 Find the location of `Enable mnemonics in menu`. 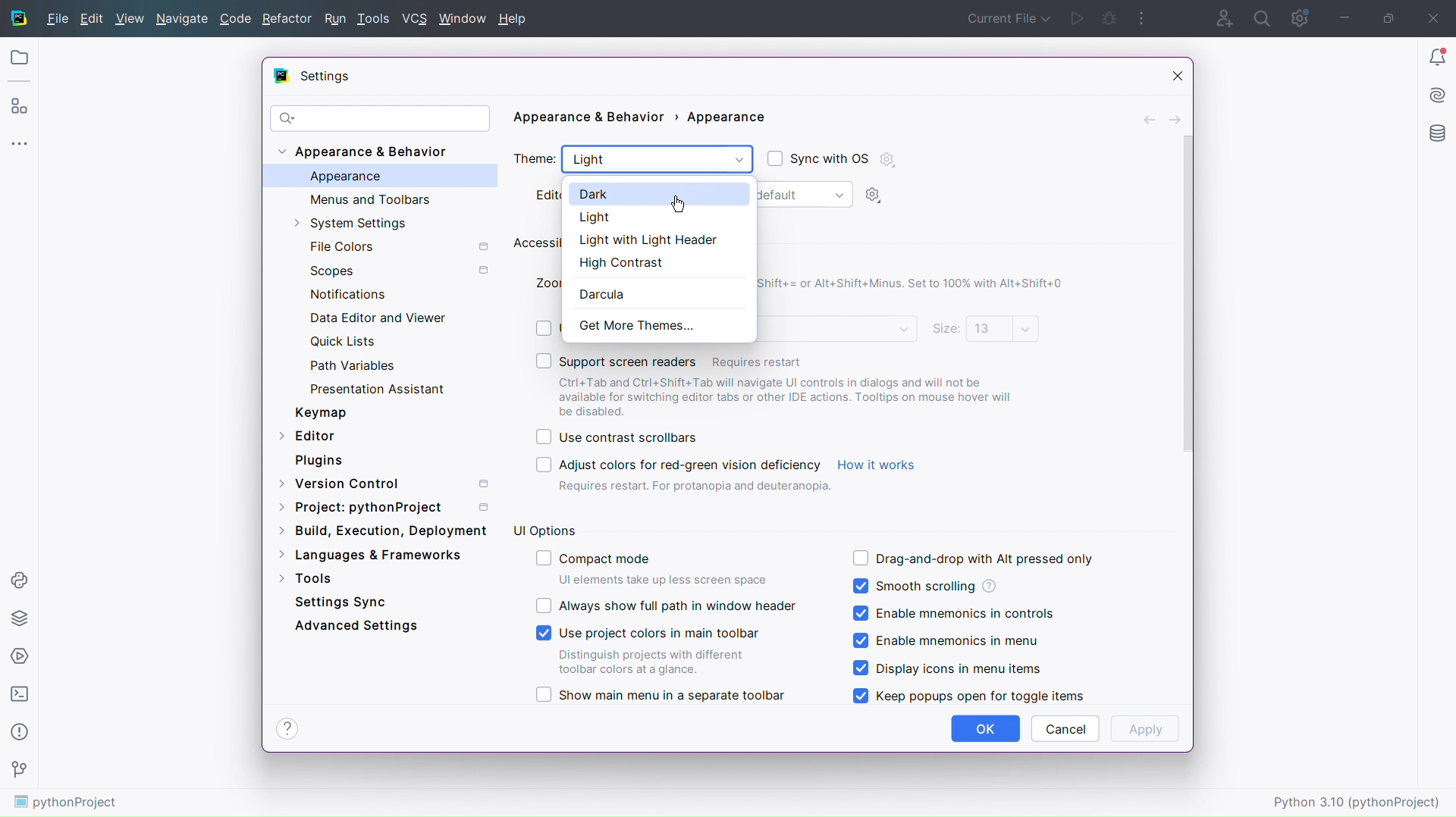

Enable mnemonics in menu is located at coordinates (951, 642).